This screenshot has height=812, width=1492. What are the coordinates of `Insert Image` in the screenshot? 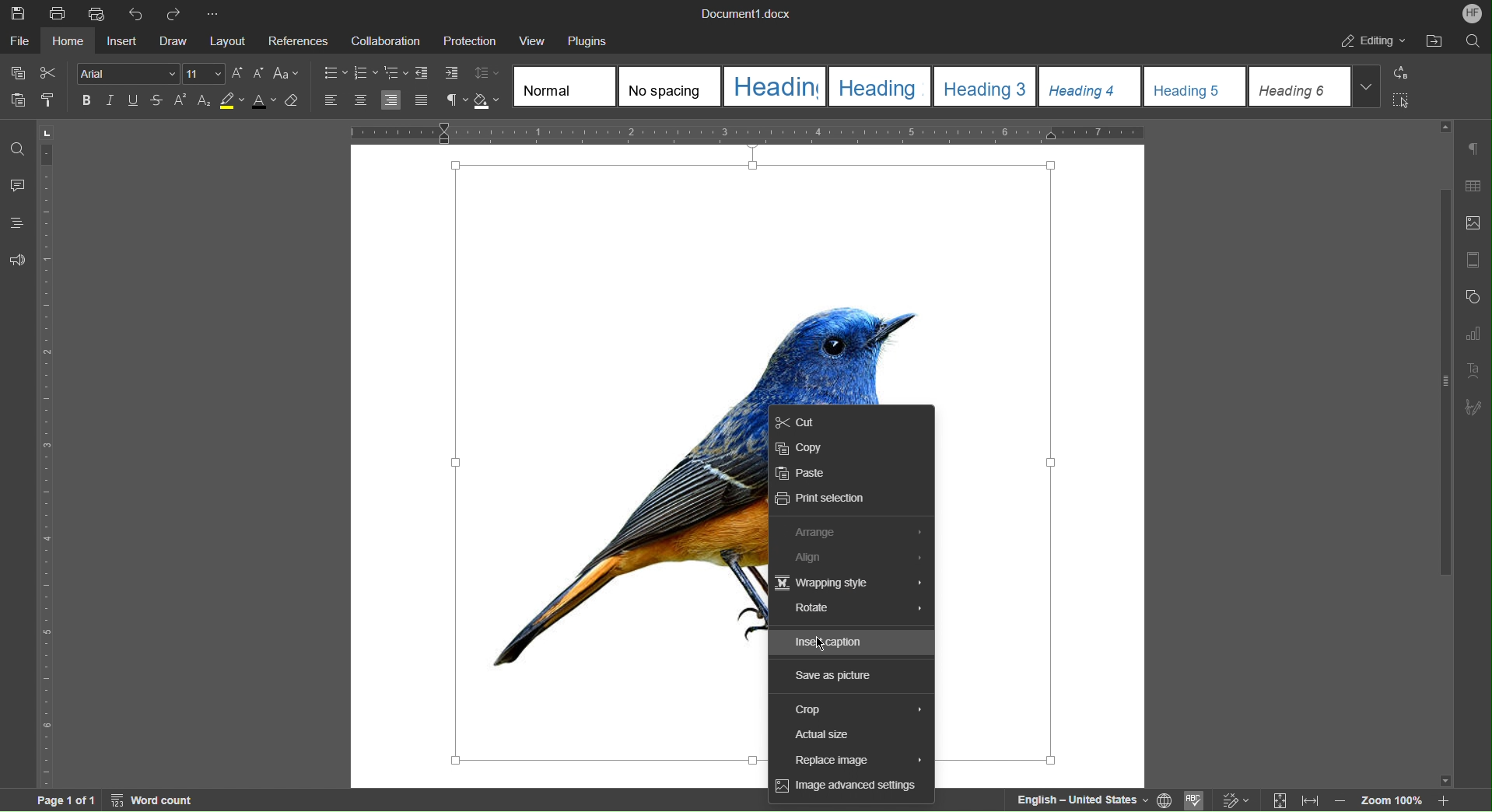 It's located at (1470, 225).